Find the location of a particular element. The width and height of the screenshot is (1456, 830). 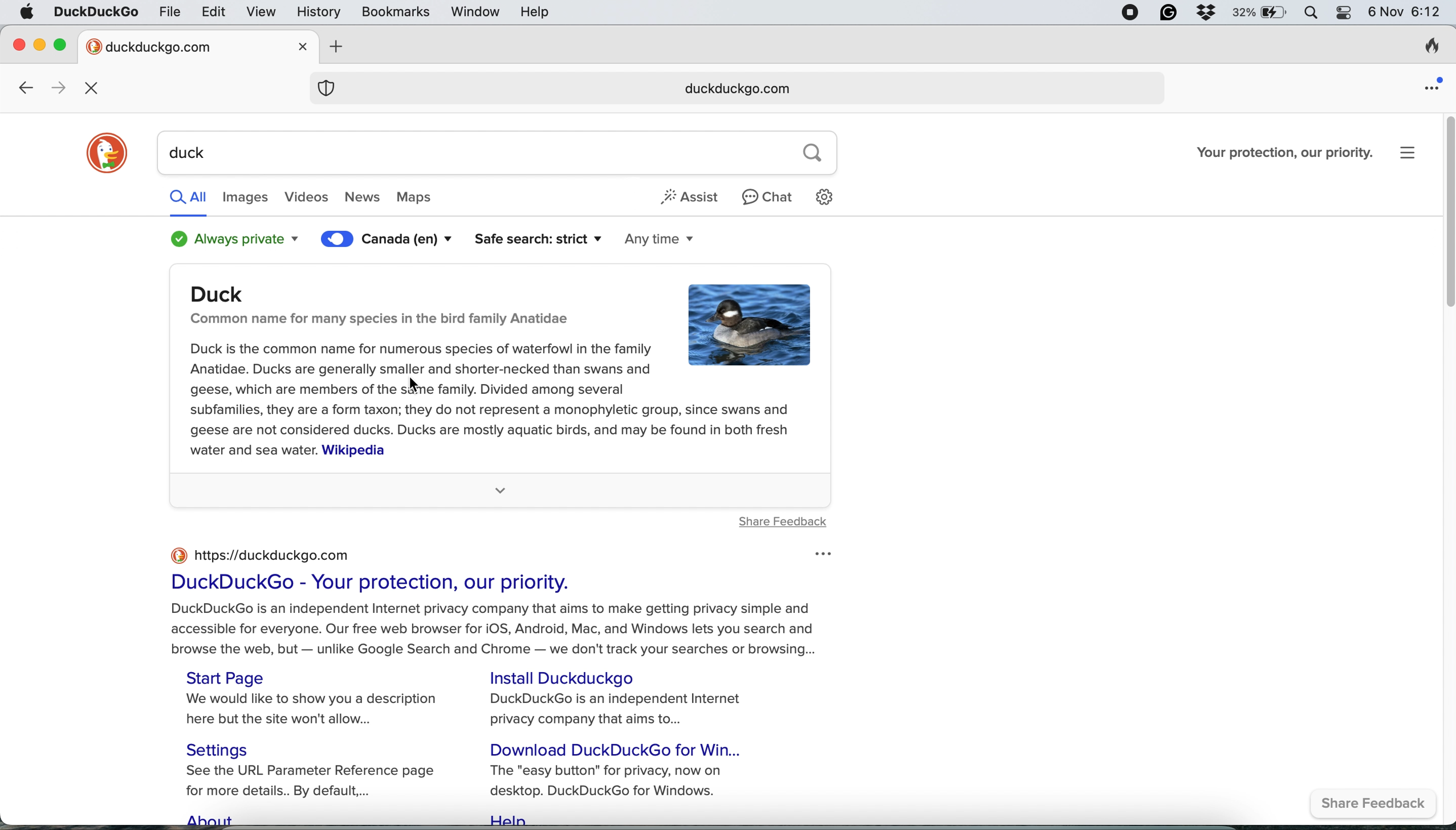

duckduckgo is located at coordinates (95, 13).